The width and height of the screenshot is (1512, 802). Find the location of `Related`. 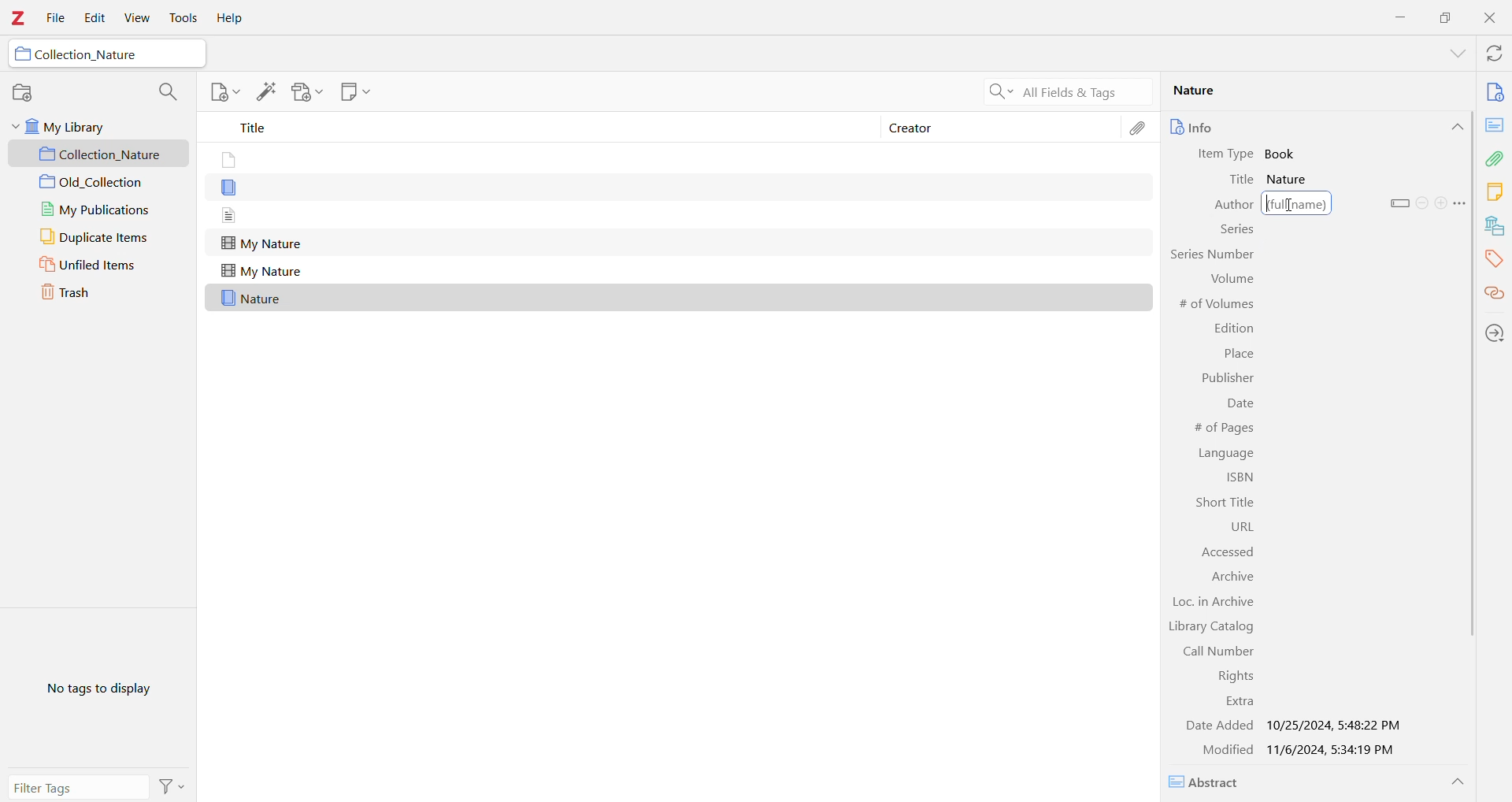

Related is located at coordinates (1493, 295).